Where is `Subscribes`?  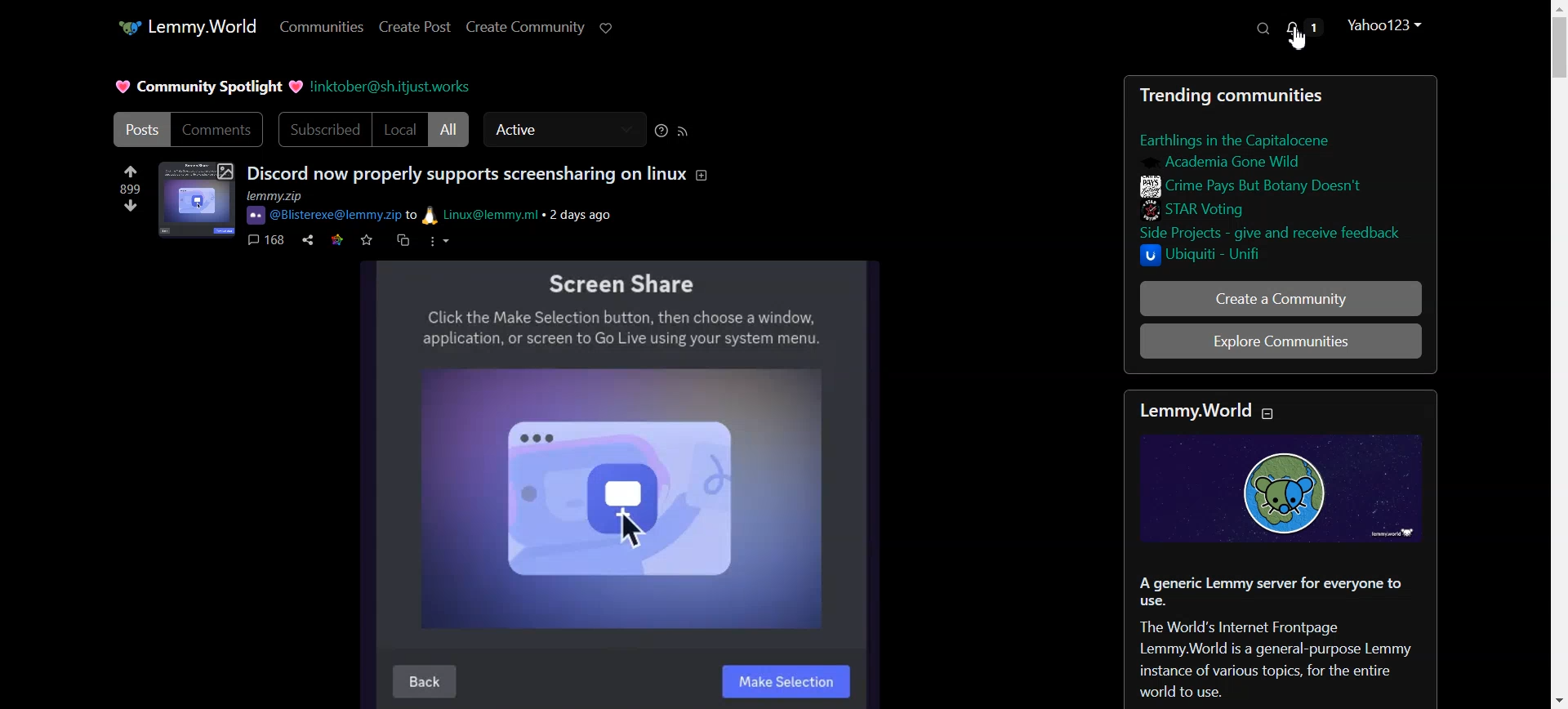 Subscribes is located at coordinates (323, 129).